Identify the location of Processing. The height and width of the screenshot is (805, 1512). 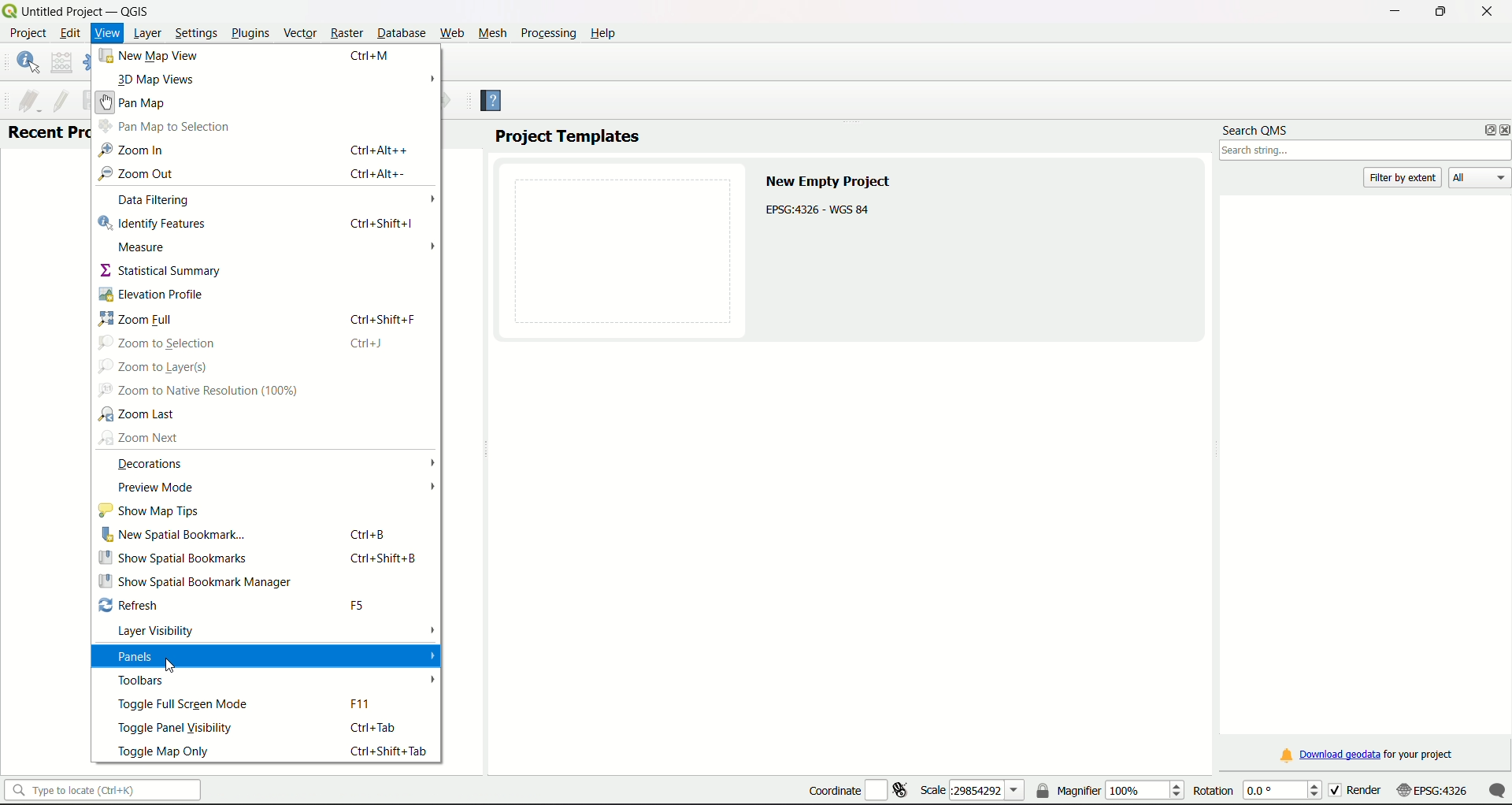
(547, 33).